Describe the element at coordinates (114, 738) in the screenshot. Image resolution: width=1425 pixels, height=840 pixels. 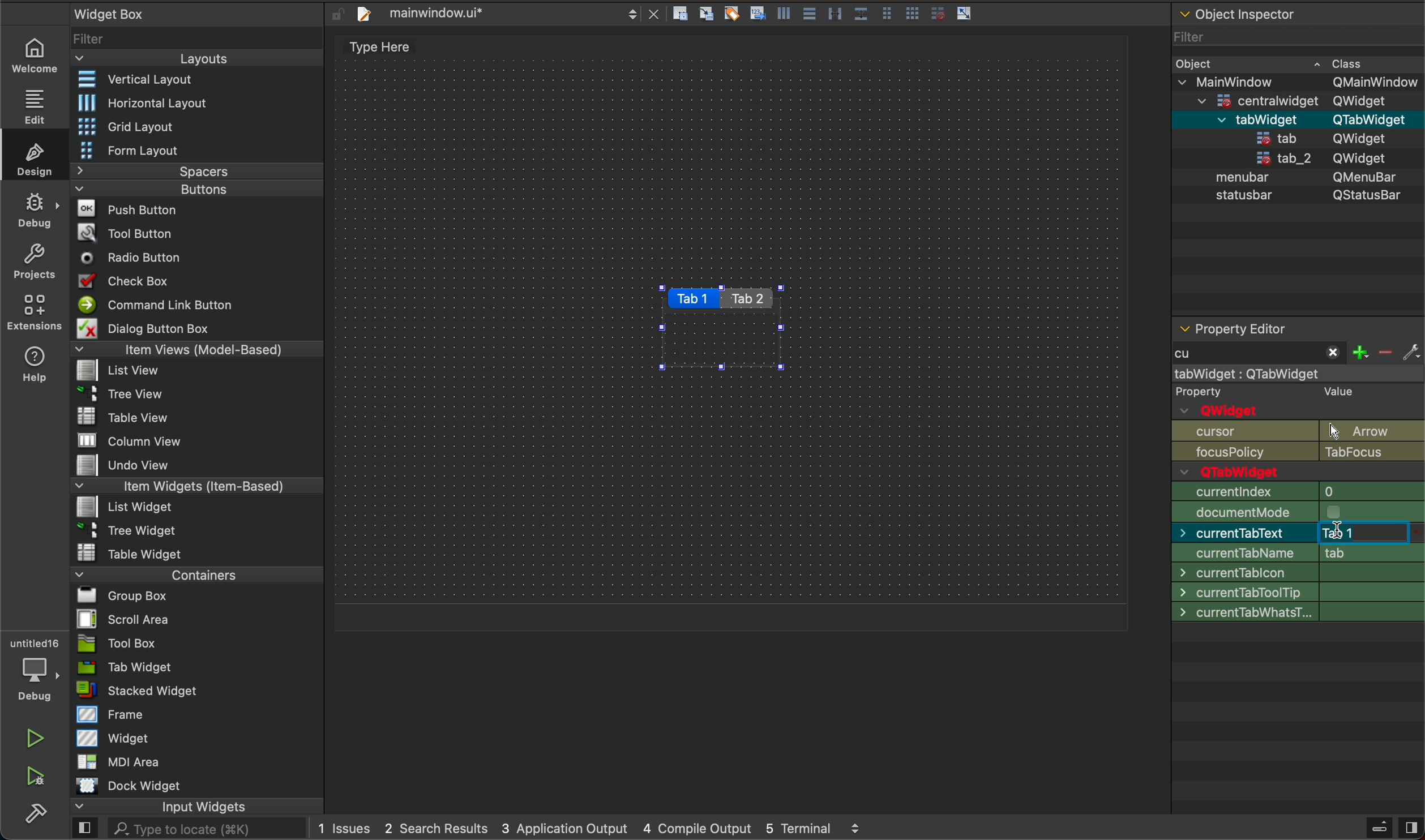
I see `Widget` at that location.